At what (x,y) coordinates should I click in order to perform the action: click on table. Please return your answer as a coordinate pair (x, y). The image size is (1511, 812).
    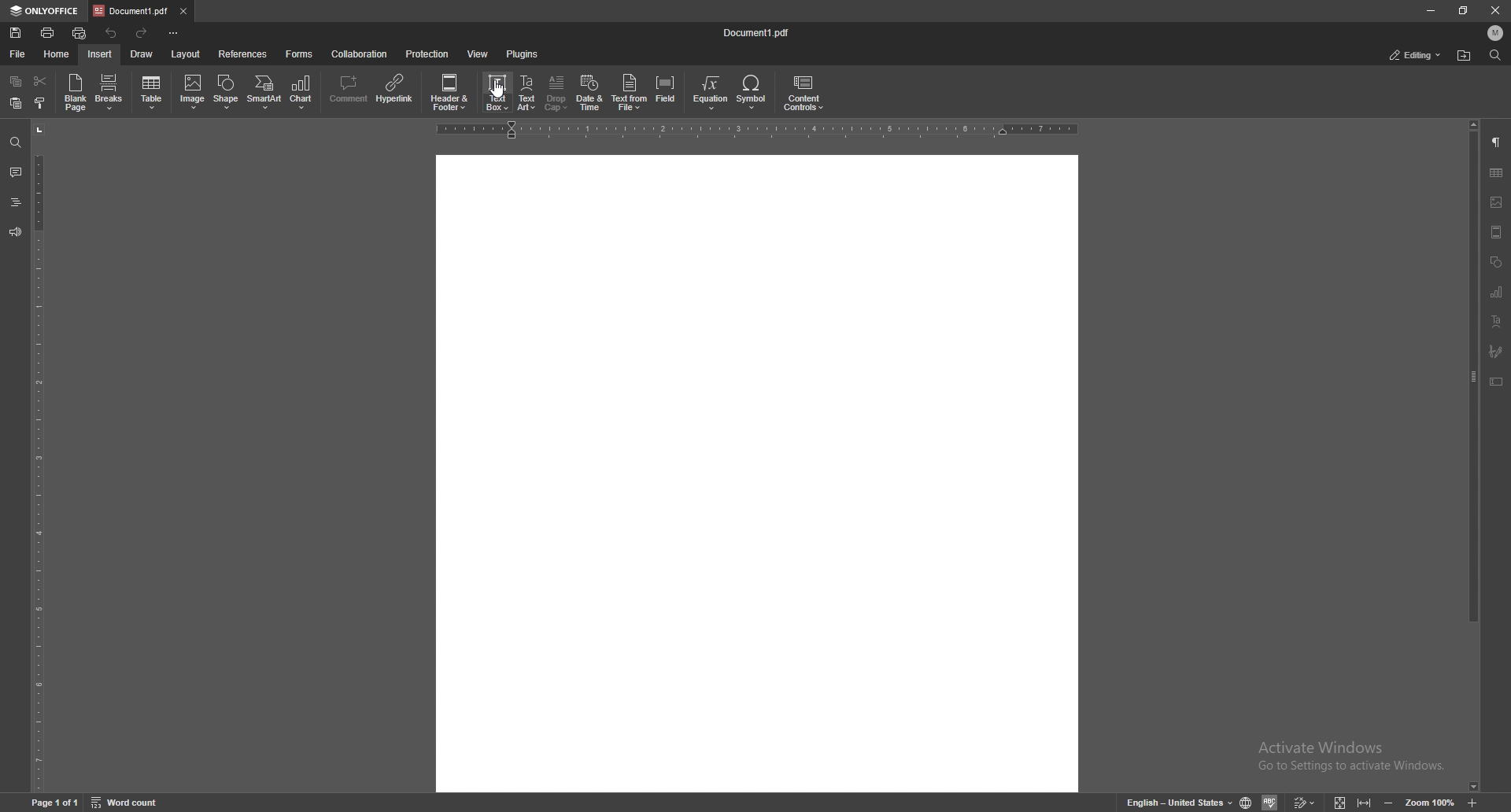
    Looking at the image, I should click on (153, 93).